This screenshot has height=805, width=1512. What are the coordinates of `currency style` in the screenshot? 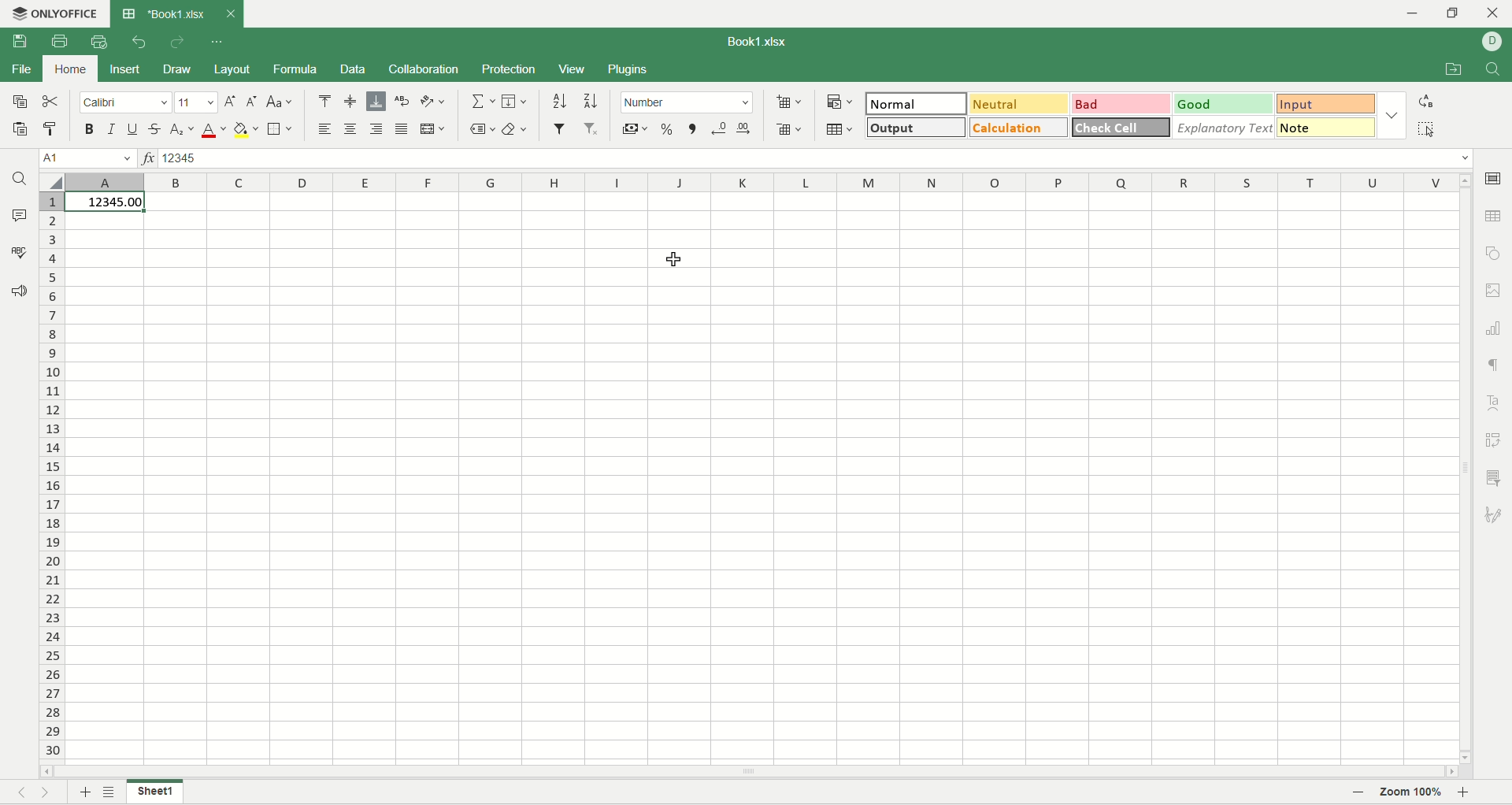 It's located at (636, 132).